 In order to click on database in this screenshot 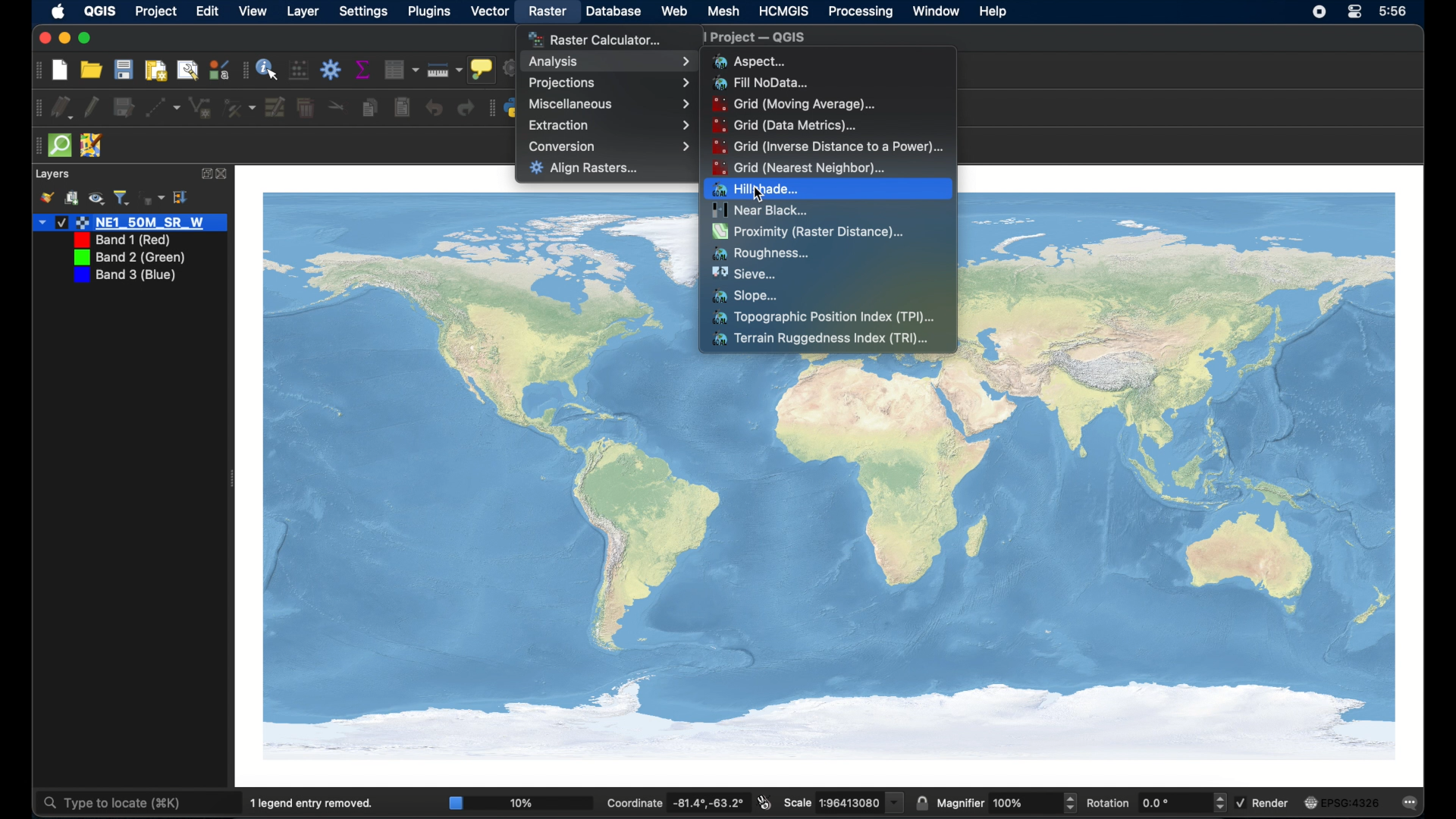, I will do `click(612, 11)`.